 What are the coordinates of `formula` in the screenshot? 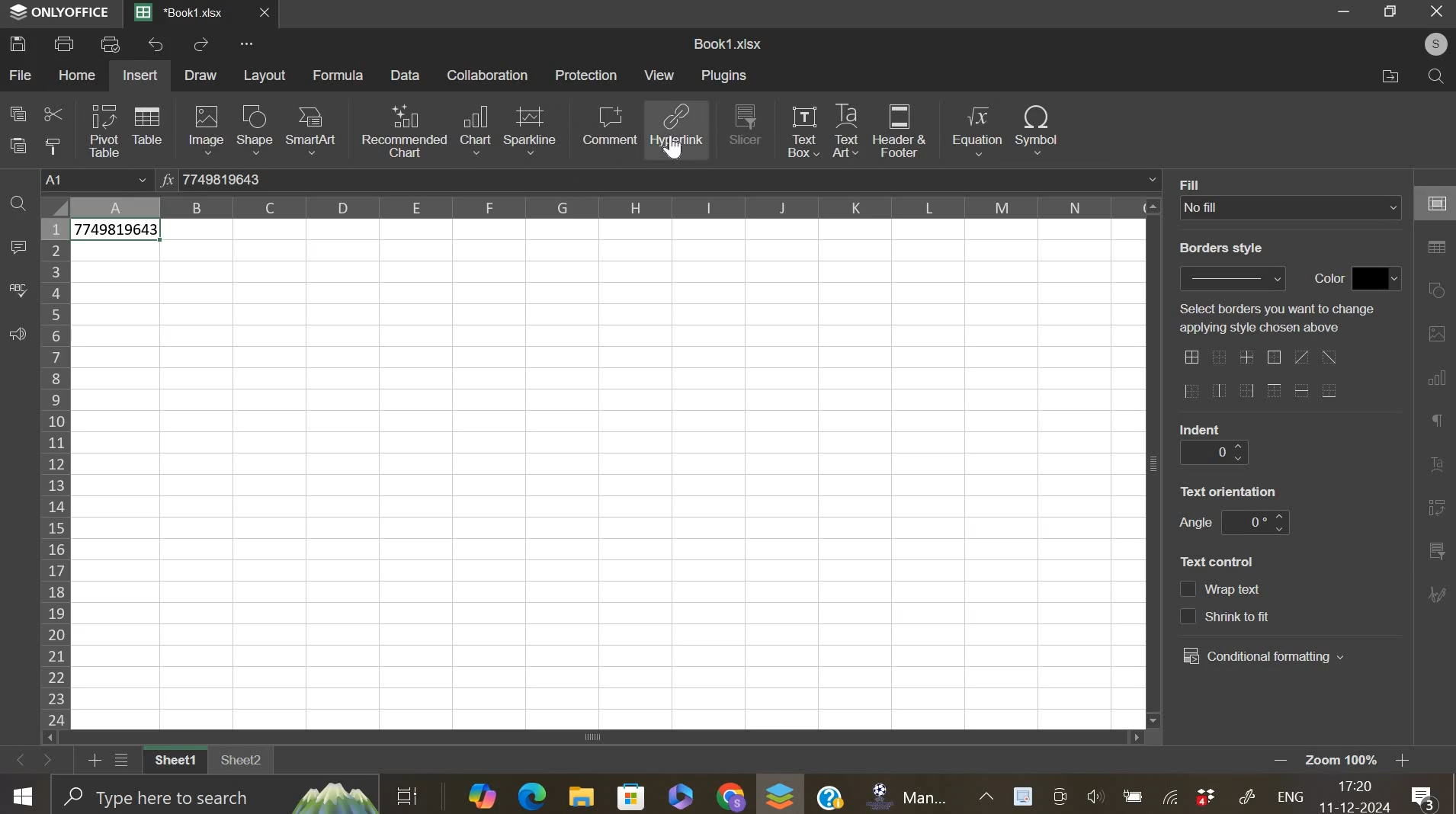 It's located at (339, 75).